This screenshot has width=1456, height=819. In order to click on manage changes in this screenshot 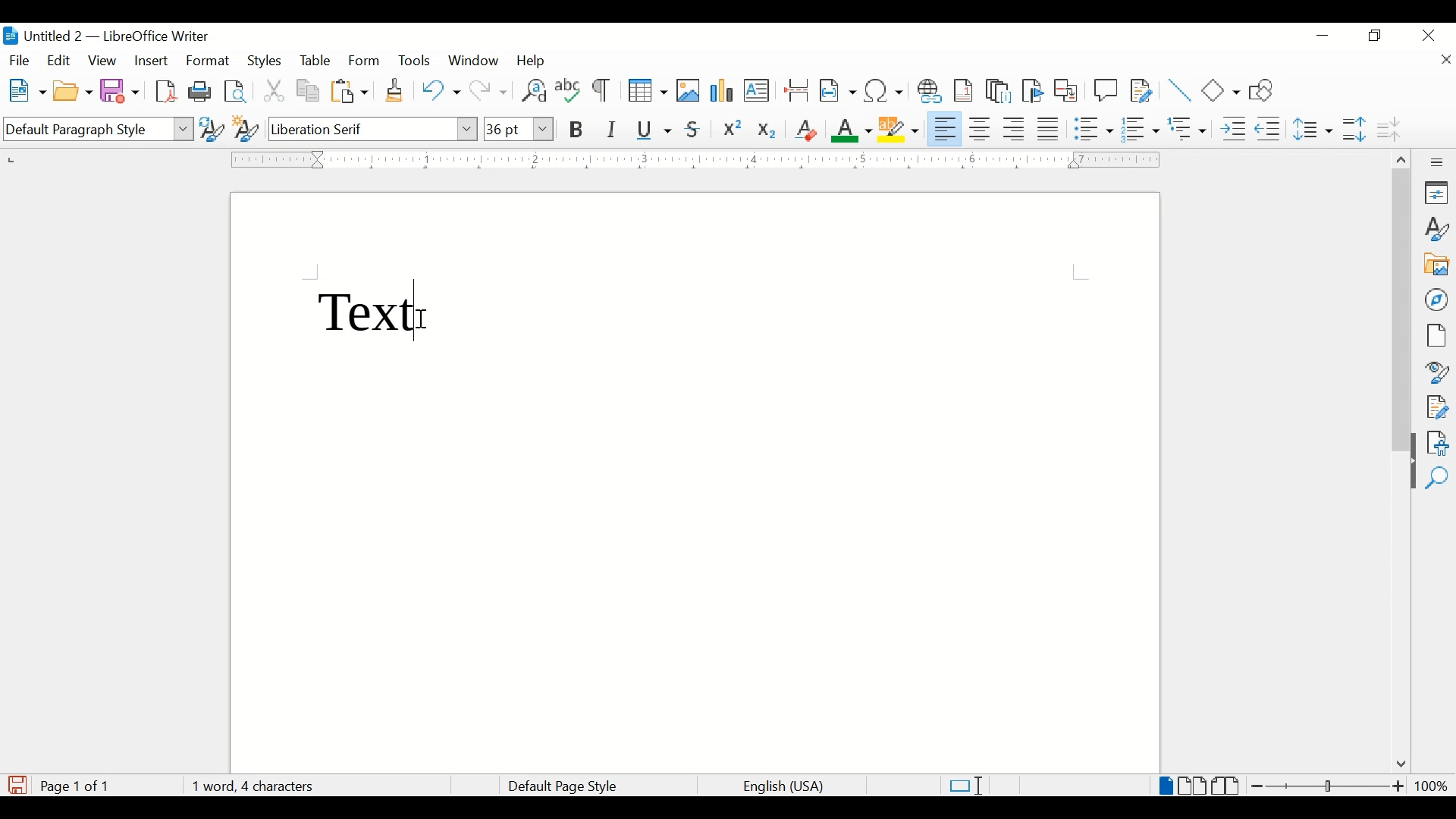, I will do `click(1437, 407)`.